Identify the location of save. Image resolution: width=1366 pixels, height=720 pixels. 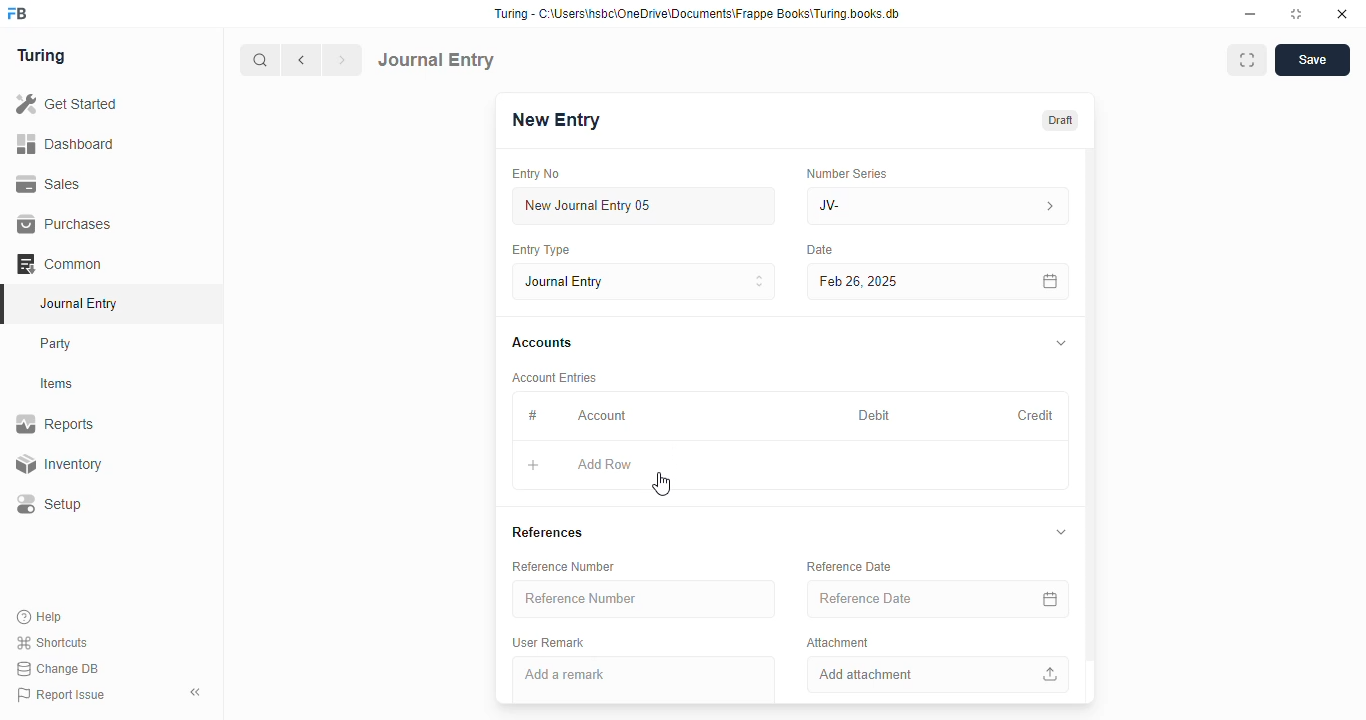
(1312, 60).